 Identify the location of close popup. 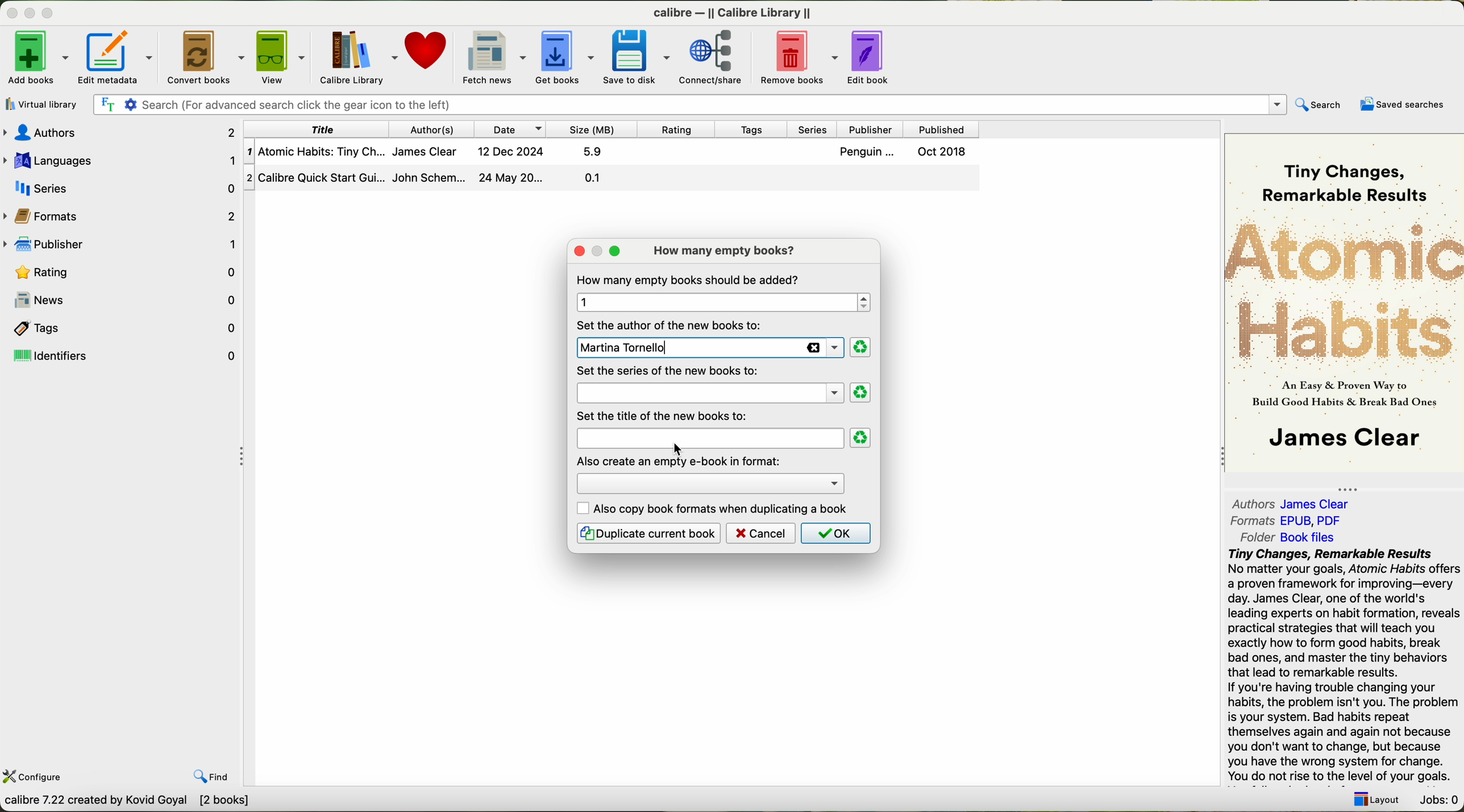
(573, 252).